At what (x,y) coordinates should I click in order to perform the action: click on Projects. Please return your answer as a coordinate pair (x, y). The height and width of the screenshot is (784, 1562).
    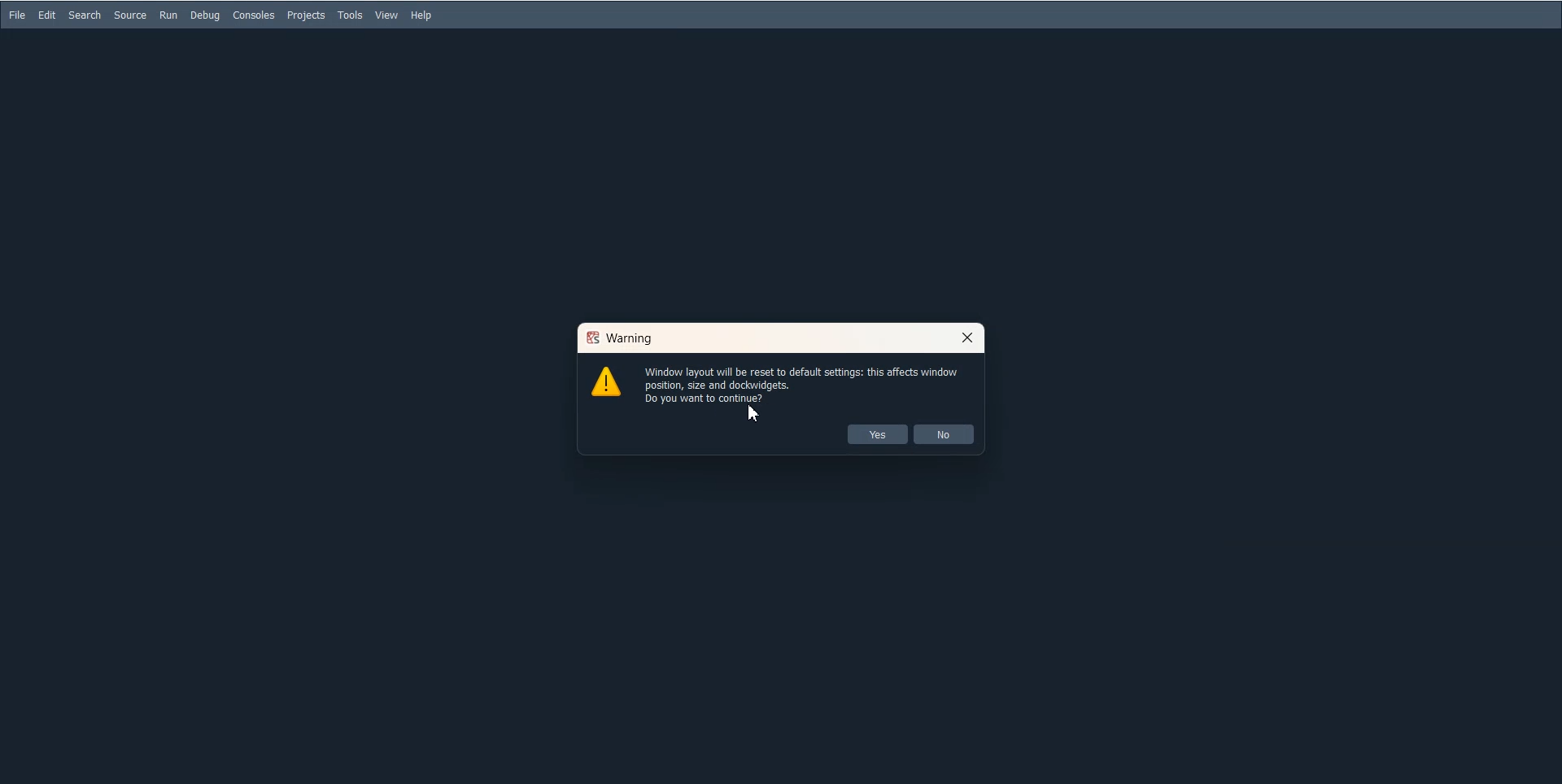
    Looking at the image, I should click on (306, 15).